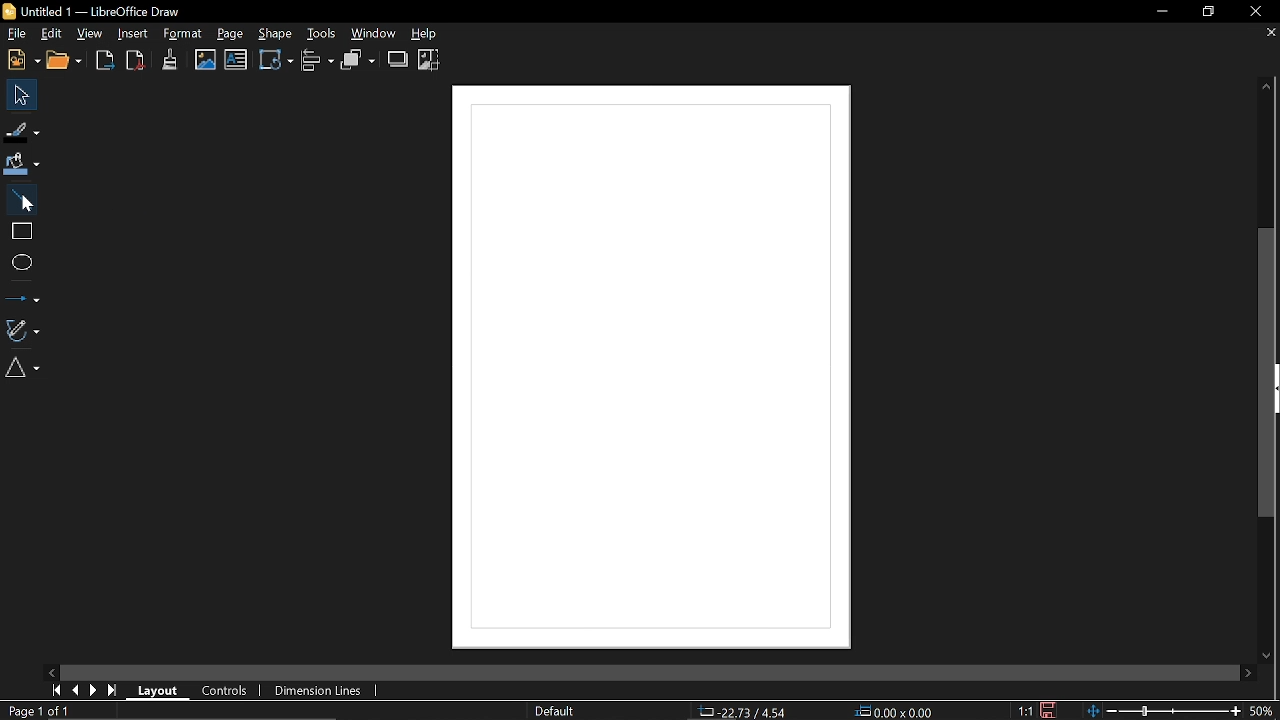  What do you see at coordinates (162, 690) in the screenshot?
I see `Layout` at bounding box center [162, 690].